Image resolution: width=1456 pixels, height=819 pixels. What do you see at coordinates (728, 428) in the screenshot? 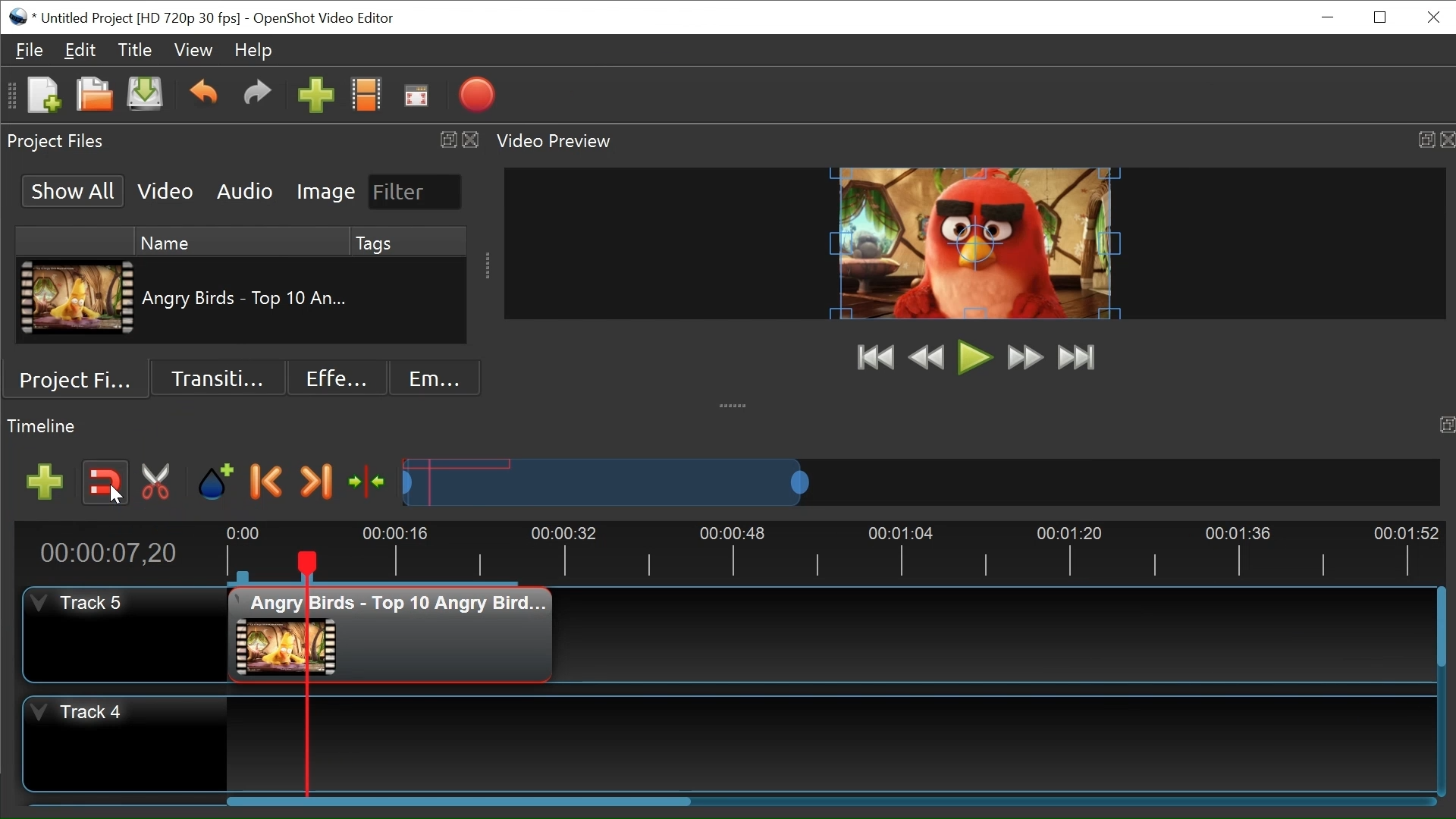
I see `Timeline Panel` at bounding box center [728, 428].